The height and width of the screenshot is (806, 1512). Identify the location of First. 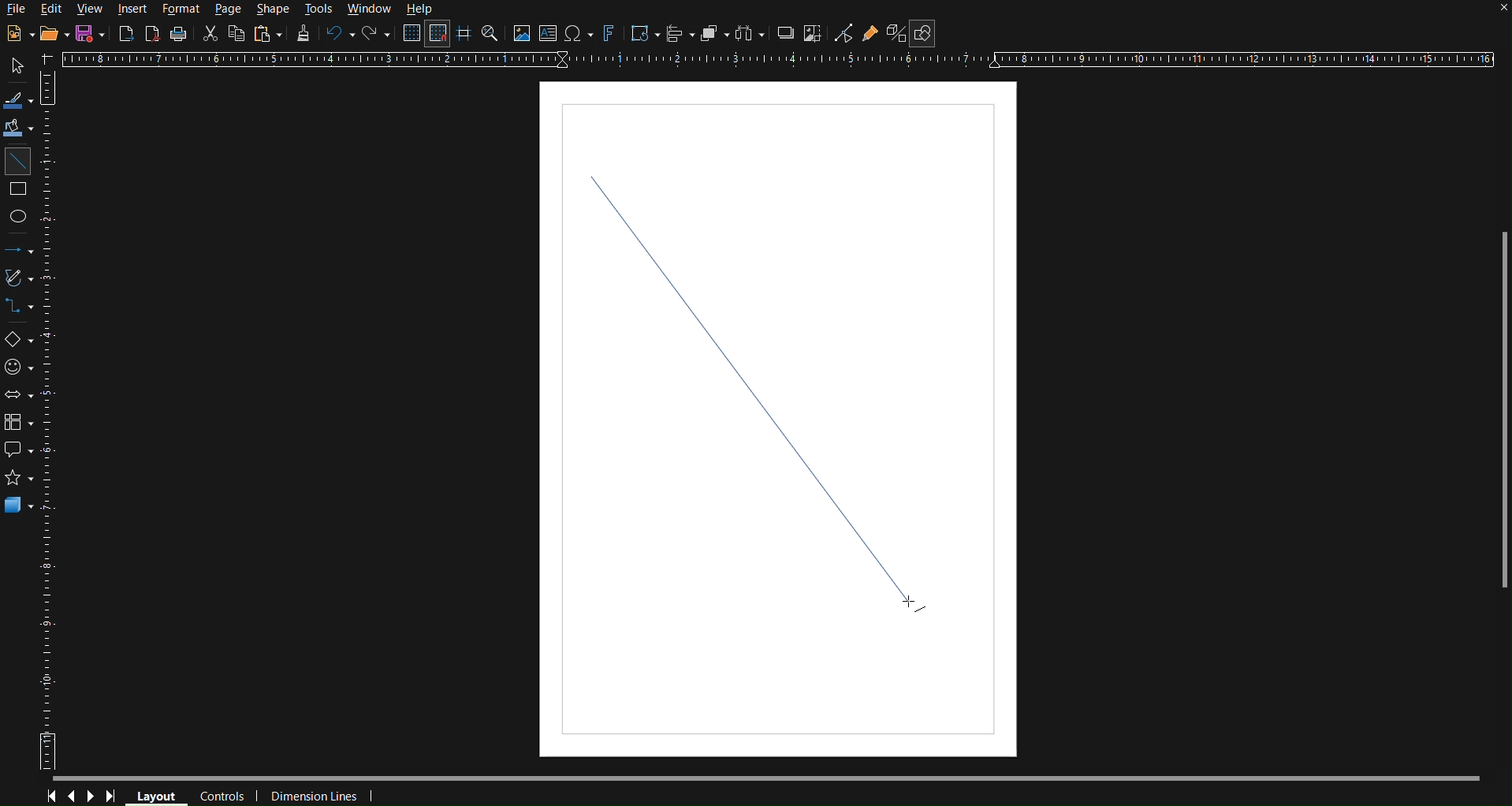
(50, 796).